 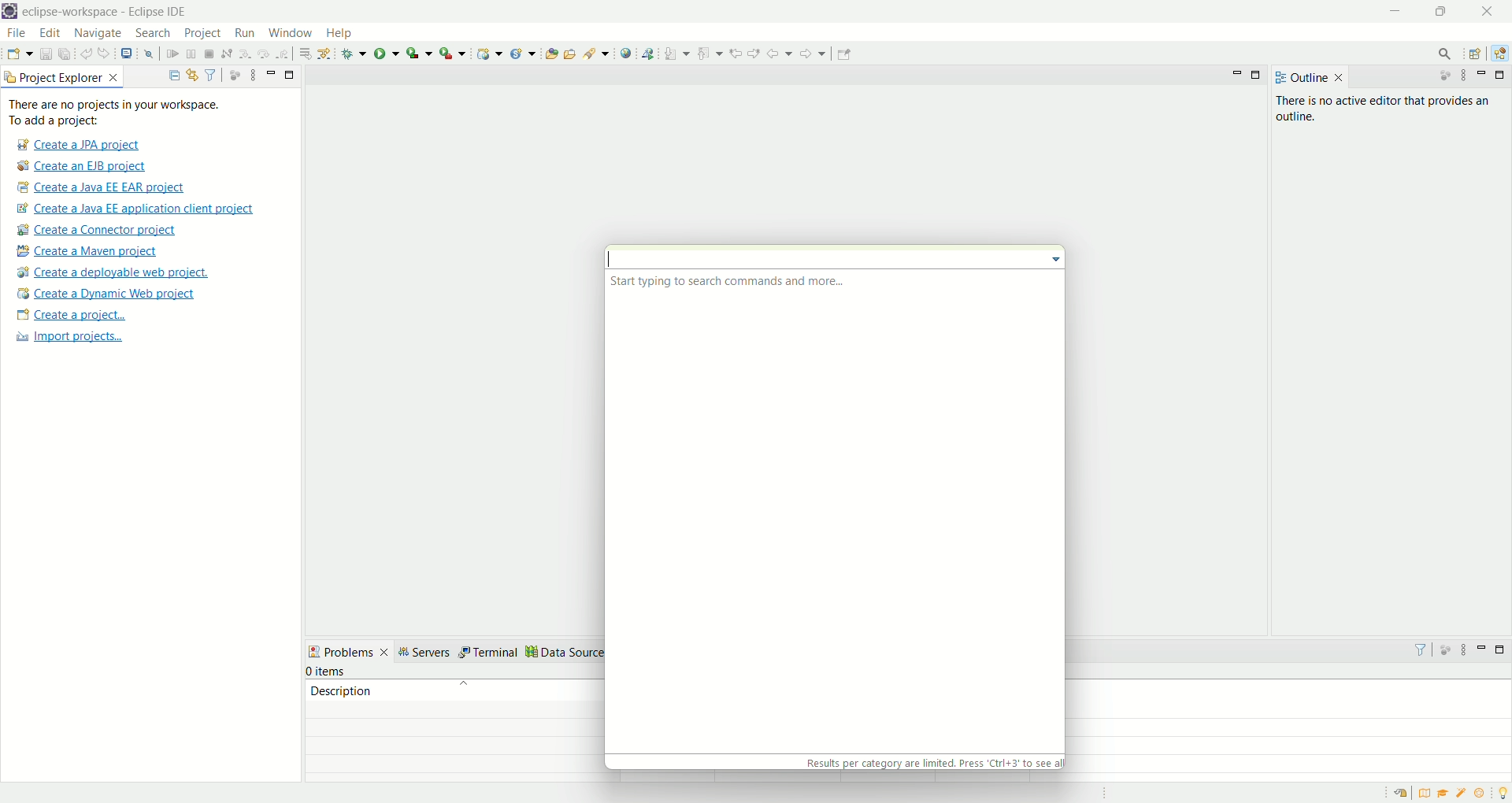 What do you see at coordinates (1421, 651) in the screenshot?
I see `filter` at bounding box center [1421, 651].